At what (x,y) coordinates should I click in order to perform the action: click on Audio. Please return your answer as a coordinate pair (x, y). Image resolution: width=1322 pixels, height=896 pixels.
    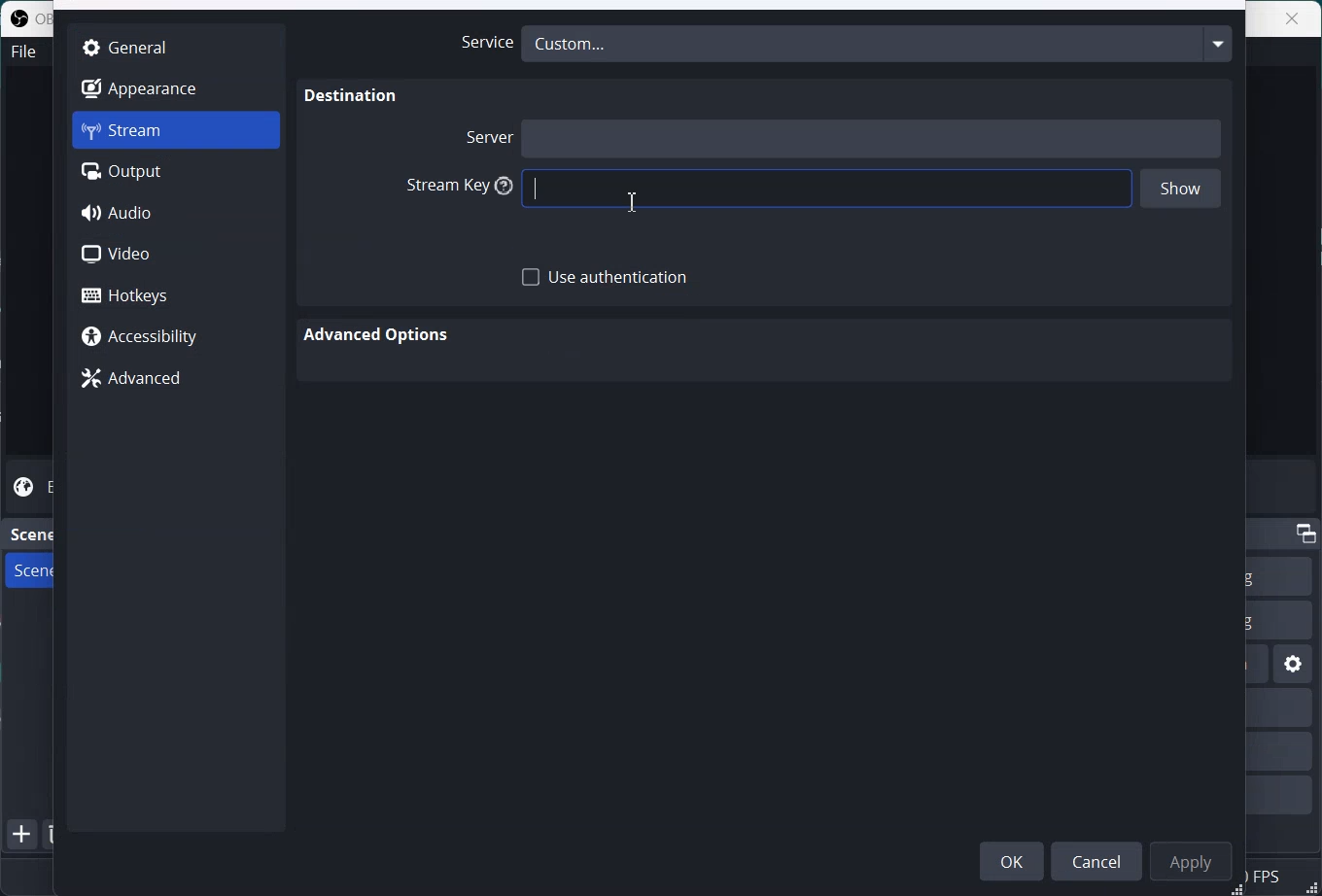
    Looking at the image, I should click on (177, 213).